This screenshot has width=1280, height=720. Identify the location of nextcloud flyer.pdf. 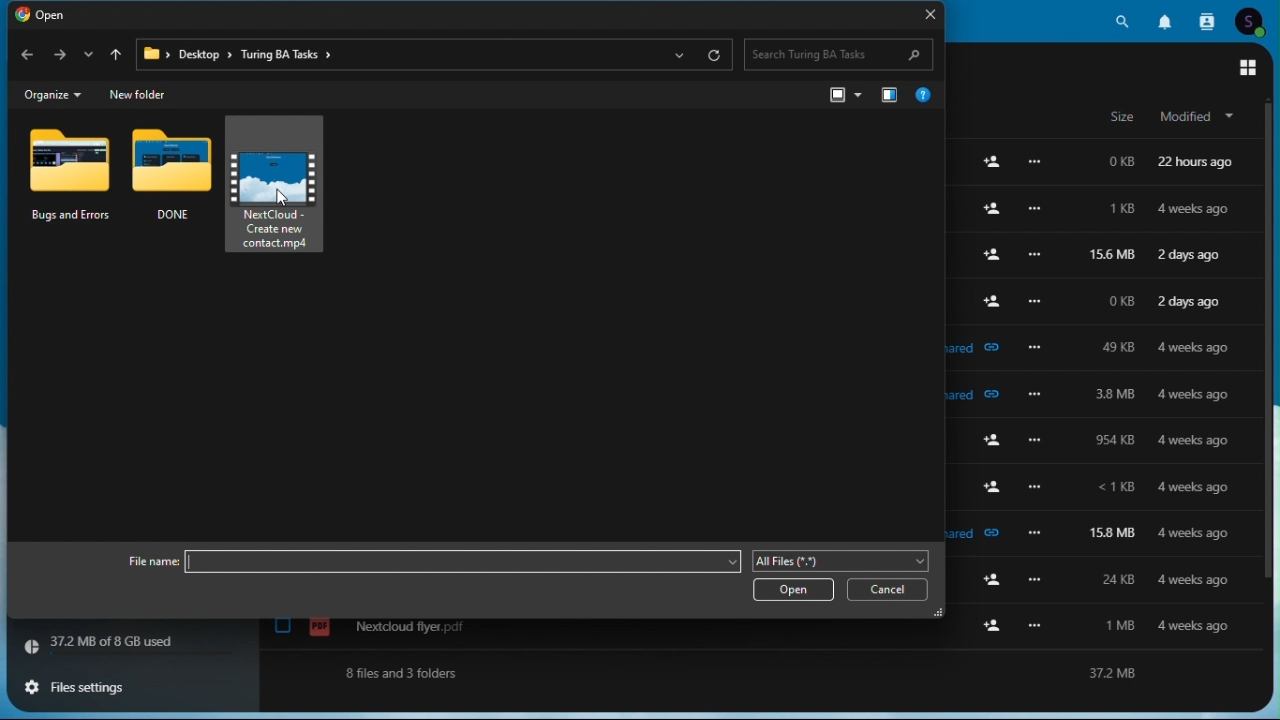
(388, 627).